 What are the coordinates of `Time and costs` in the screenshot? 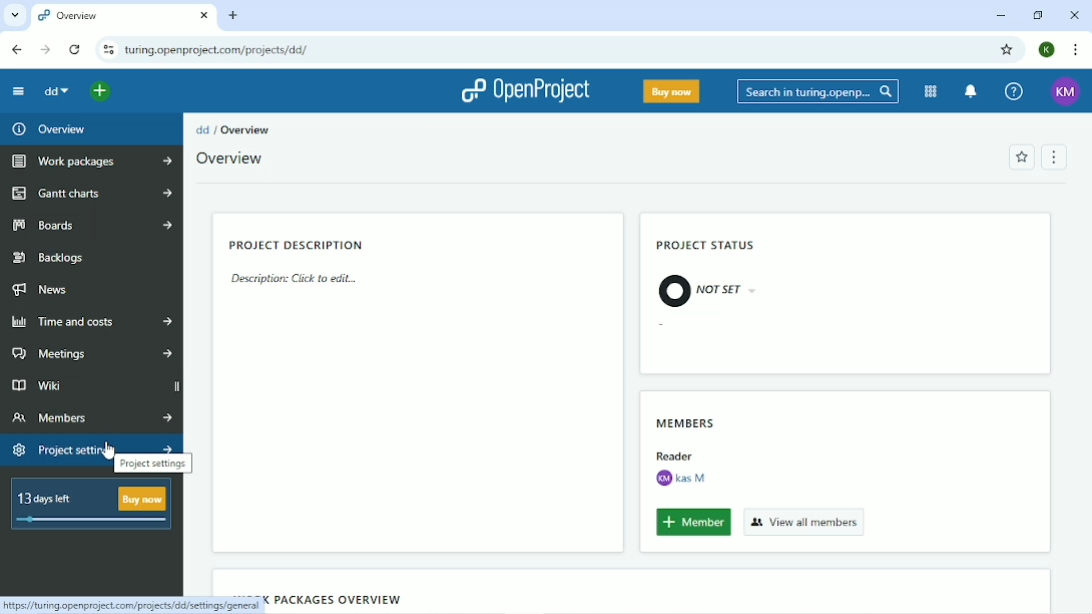 It's located at (92, 322).